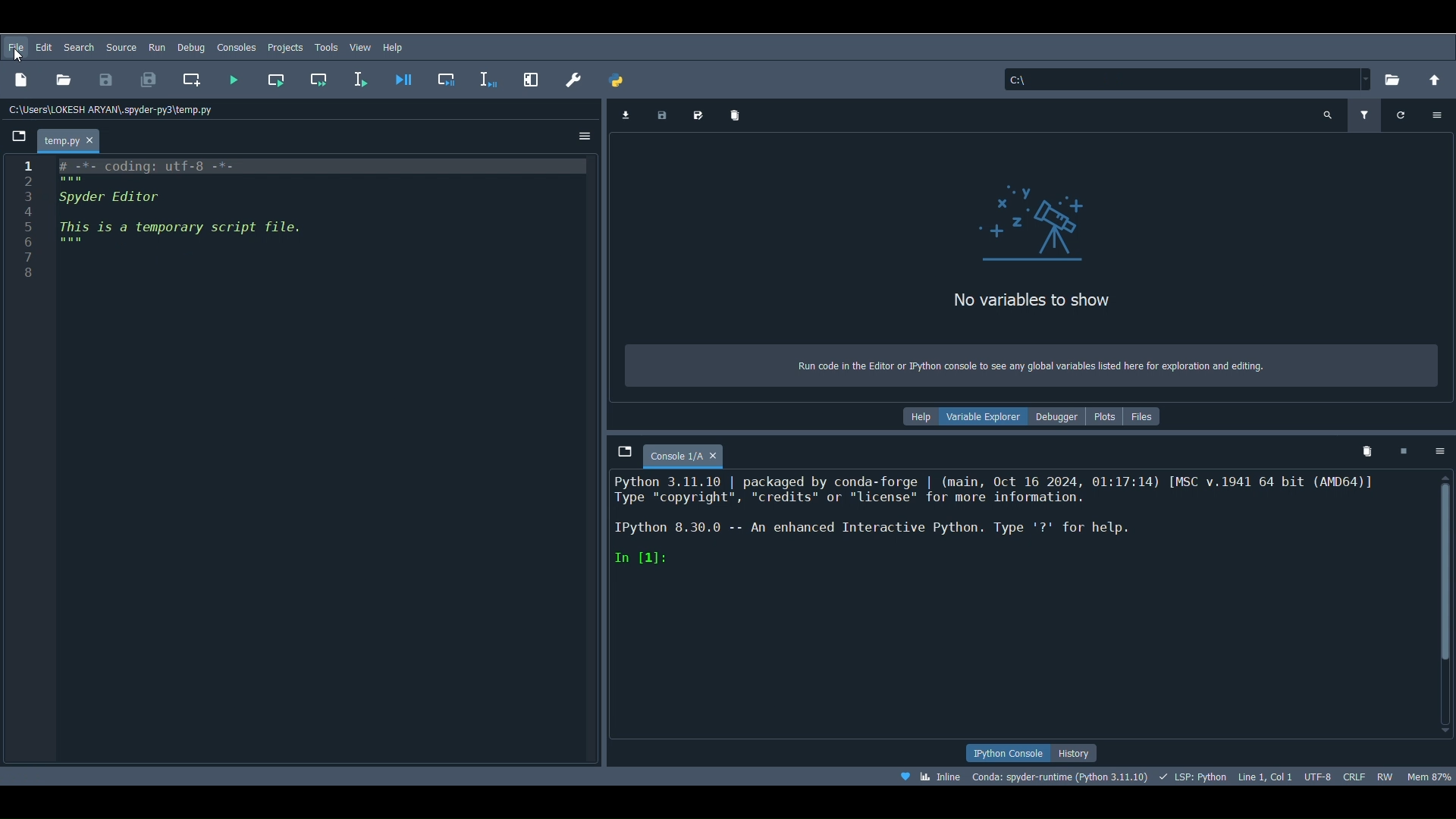 Image resolution: width=1456 pixels, height=819 pixels. Describe the element at coordinates (1105, 416) in the screenshot. I see `Plots` at that location.